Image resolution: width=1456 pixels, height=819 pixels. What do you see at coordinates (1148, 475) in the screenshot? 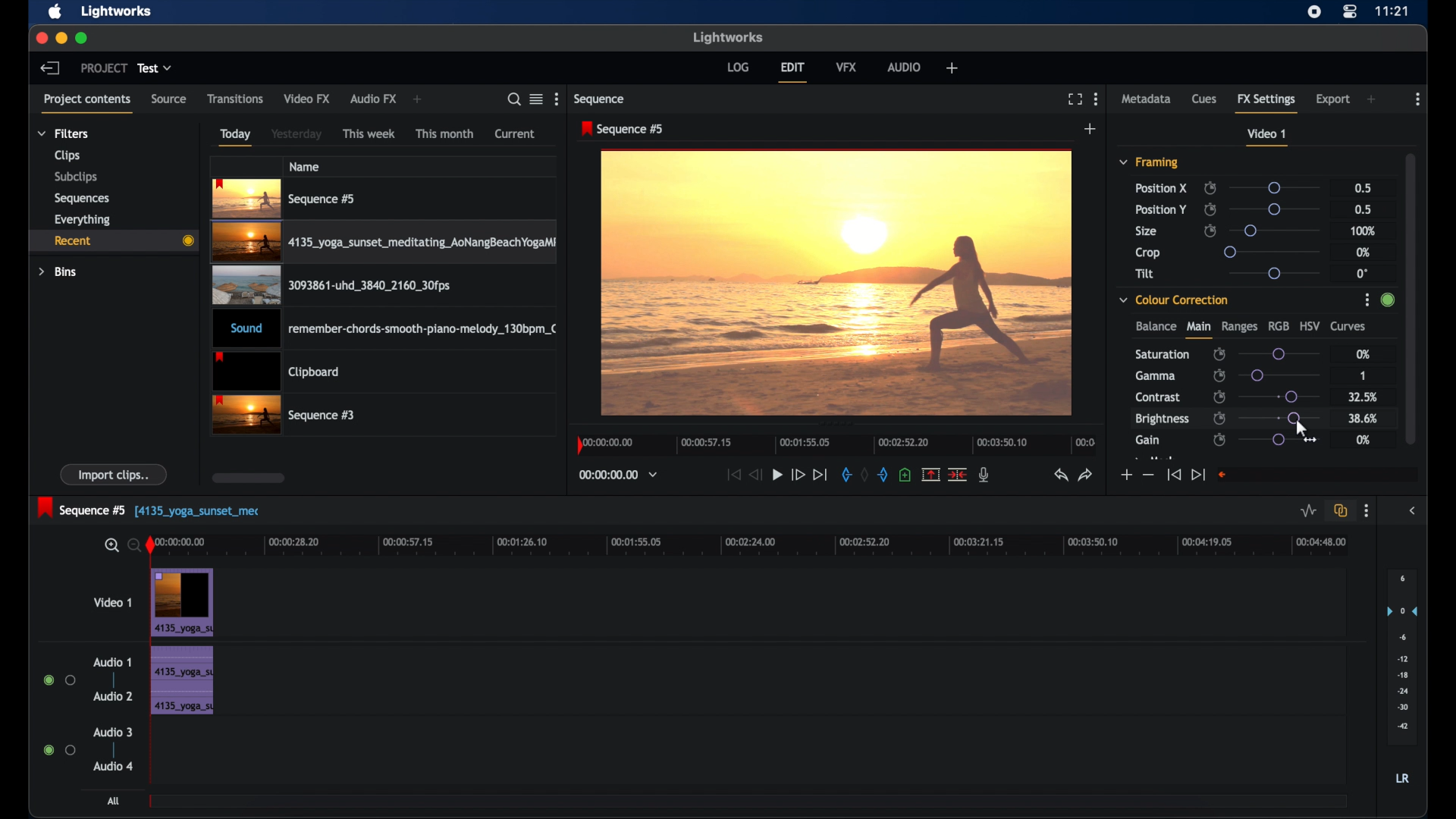
I see `decrement` at bounding box center [1148, 475].